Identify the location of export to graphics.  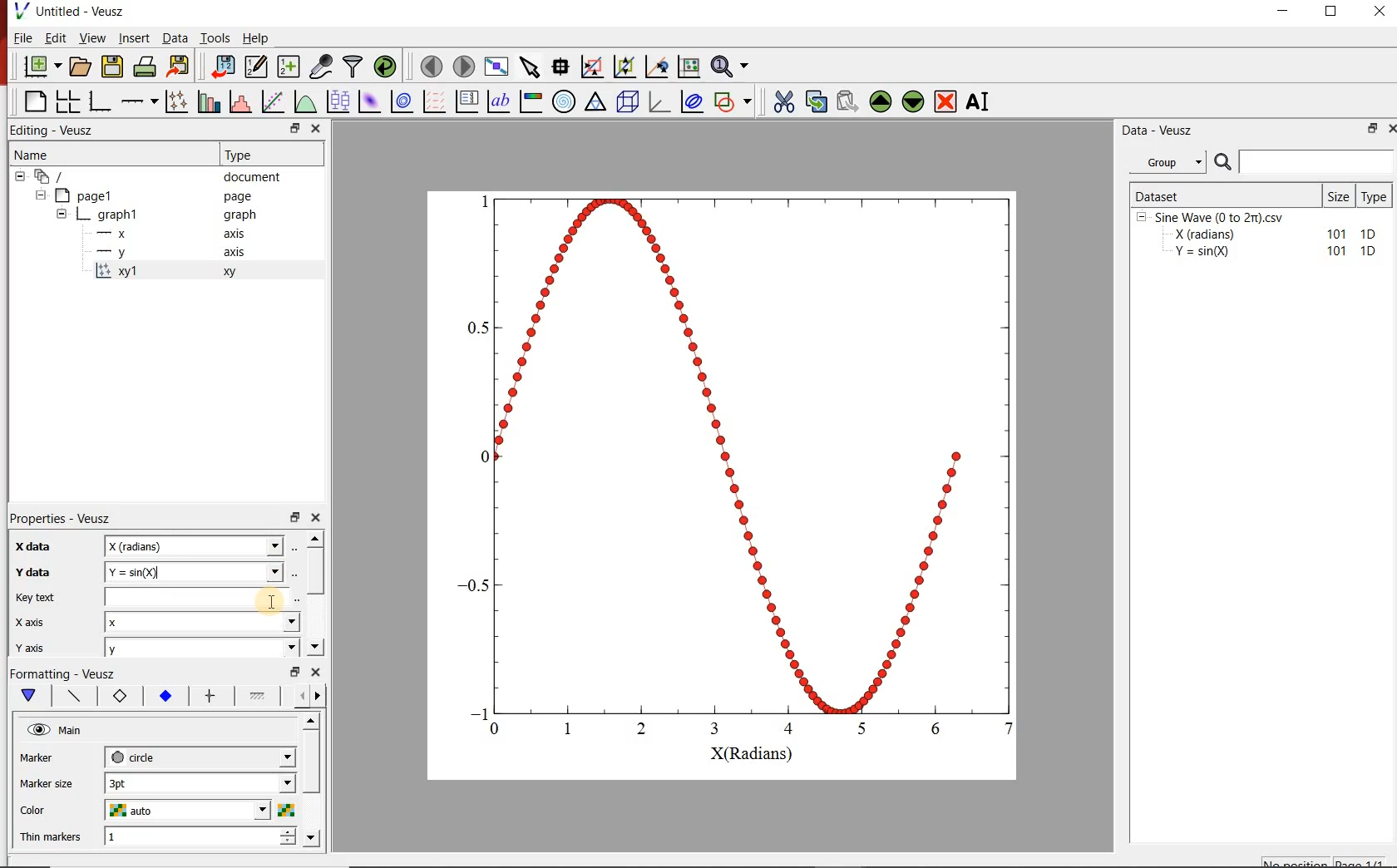
(180, 66).